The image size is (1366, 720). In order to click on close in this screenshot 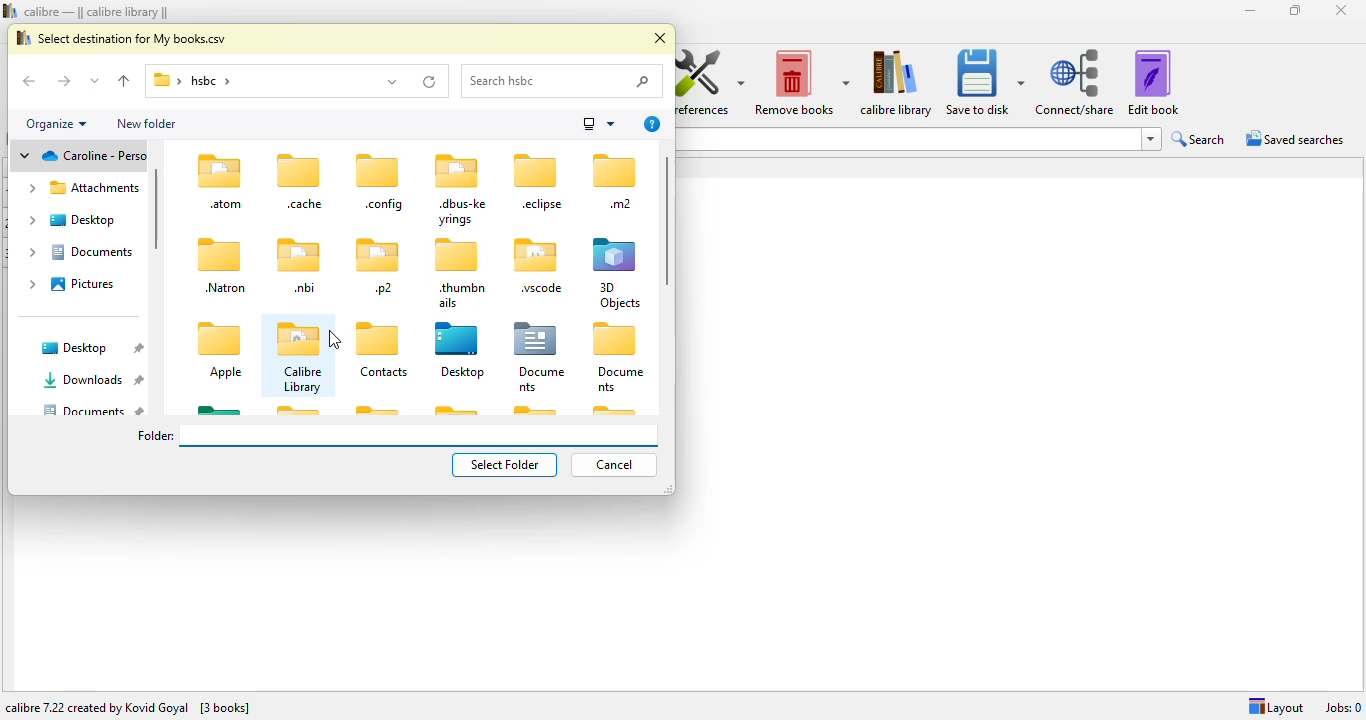, I will do `click(660, 39)`.